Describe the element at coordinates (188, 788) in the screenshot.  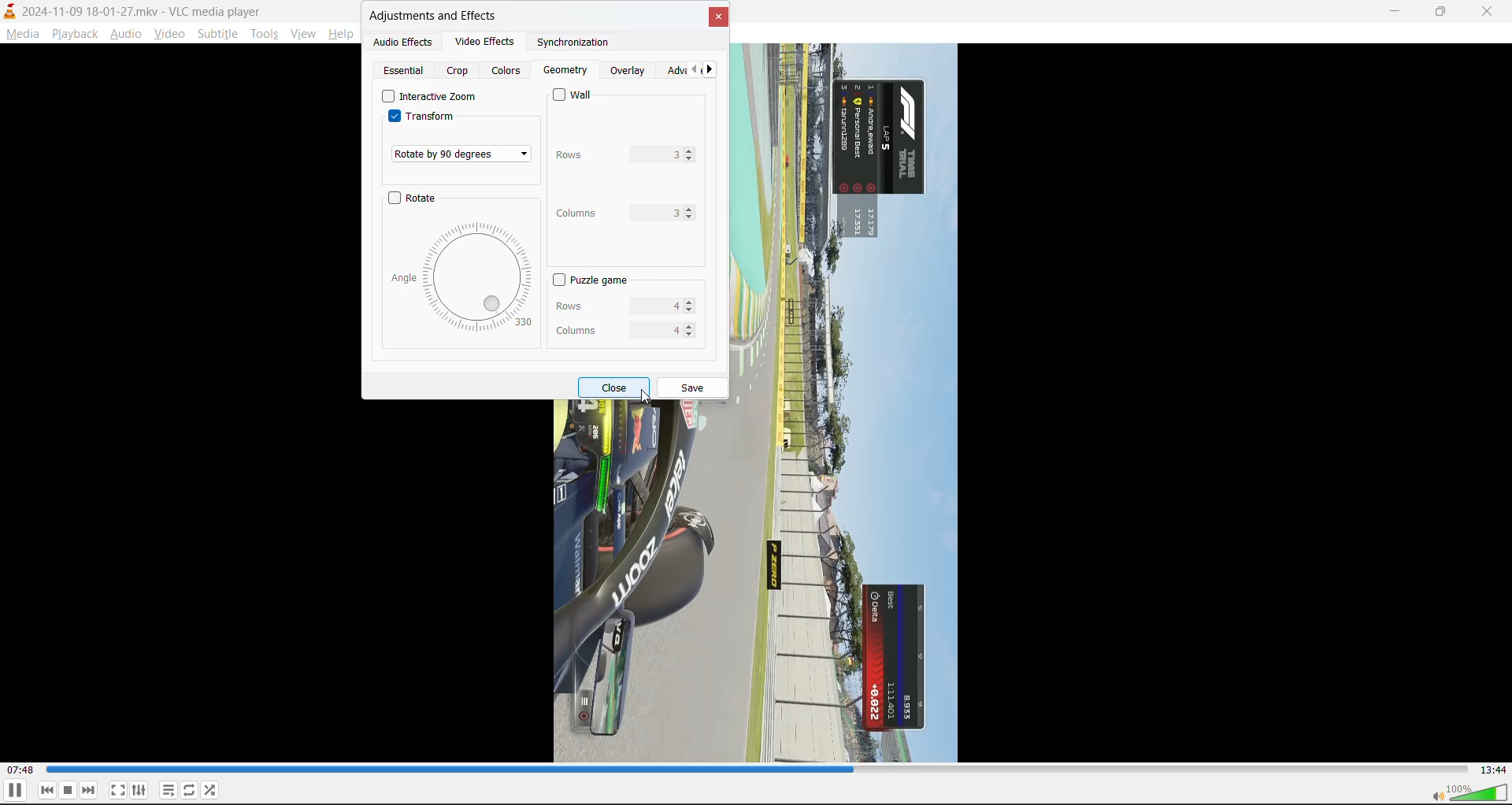
I see `loop` at that location.